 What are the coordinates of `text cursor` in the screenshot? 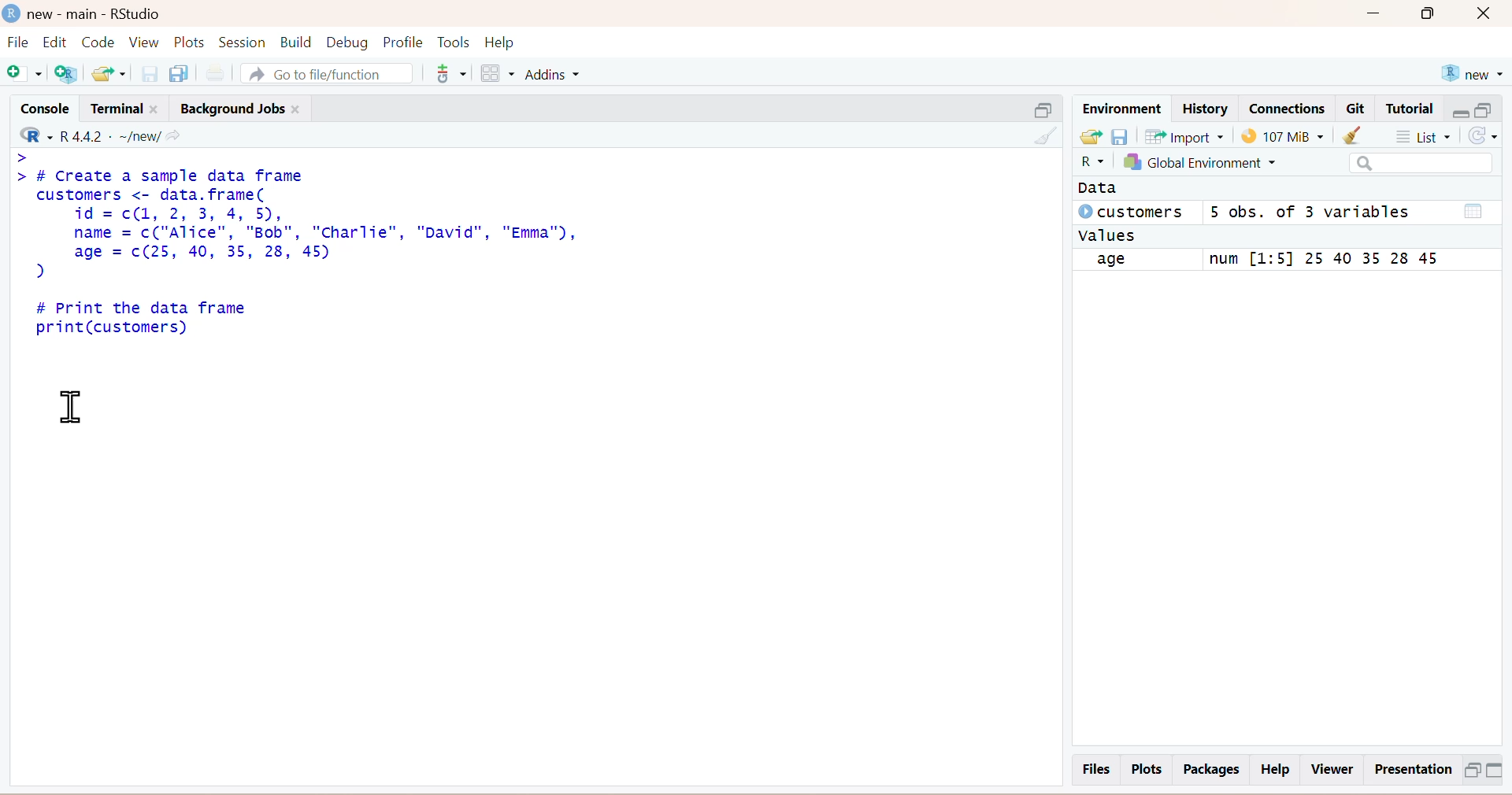 It's located at (69, 405).